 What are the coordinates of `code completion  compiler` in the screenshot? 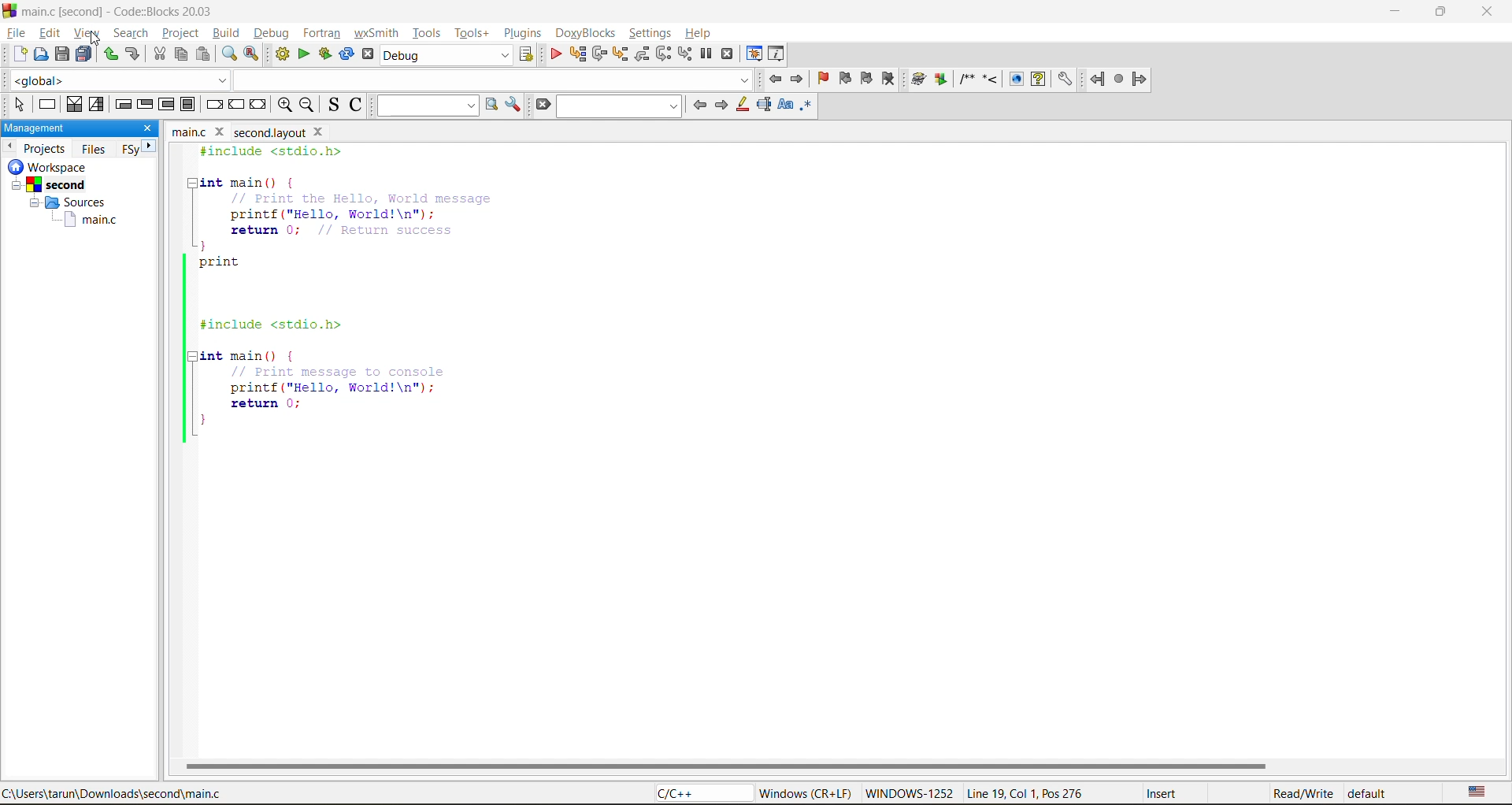 It's located at (379, 81).